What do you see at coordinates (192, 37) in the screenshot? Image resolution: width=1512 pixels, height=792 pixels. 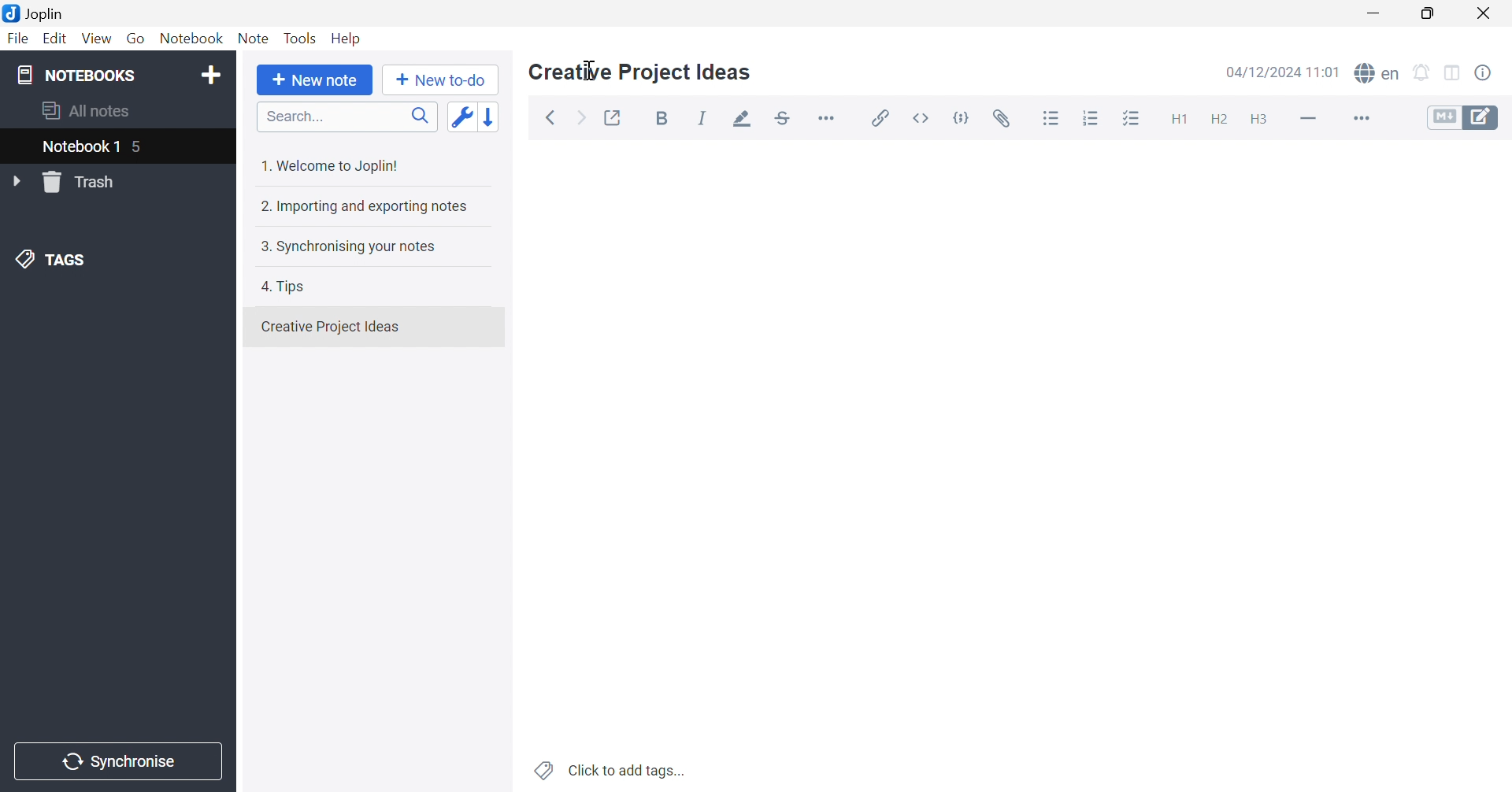 I see `Notebook` at bounding box center [192, 37].